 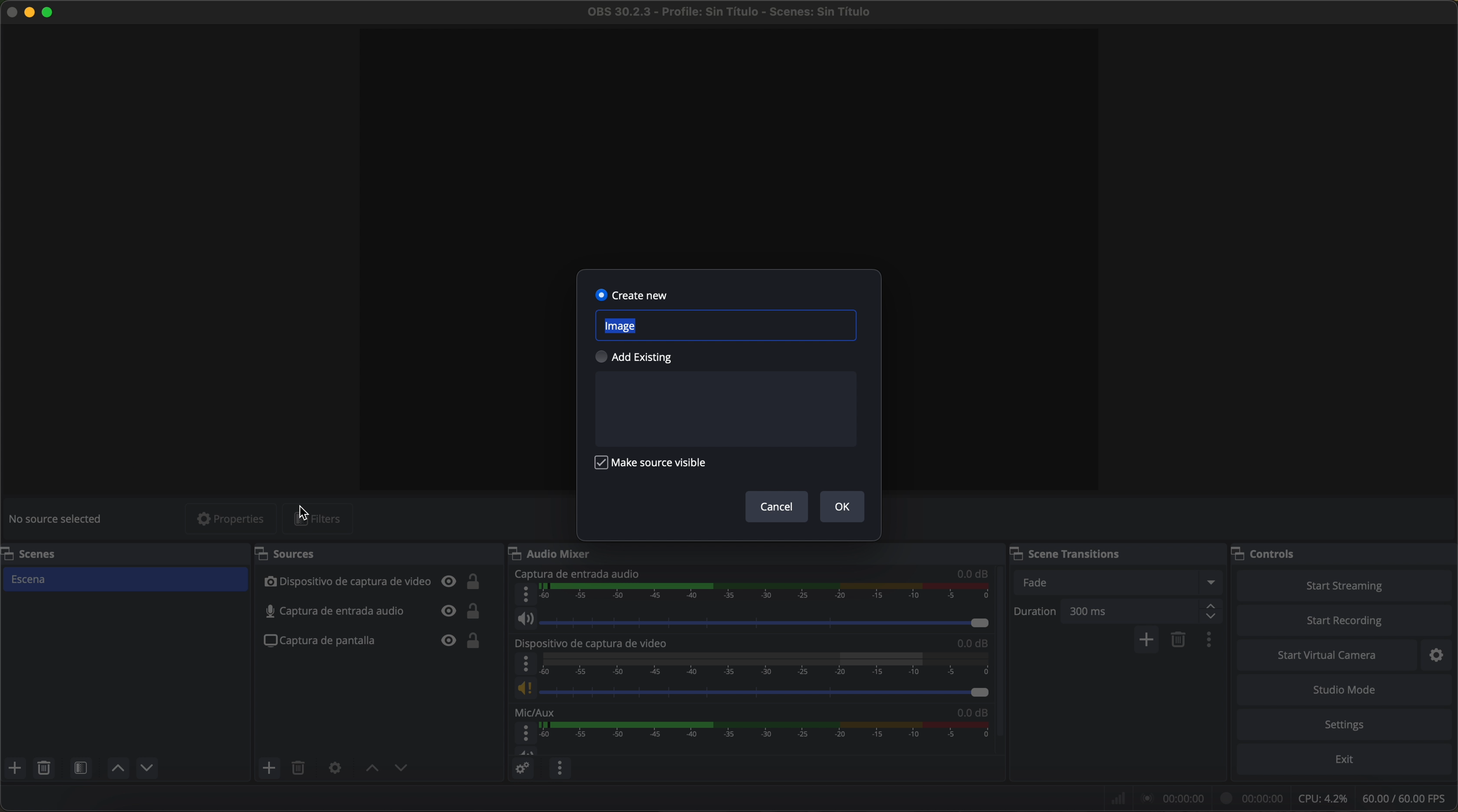 I want to click on mic/aux, so click(x=535, y=711).